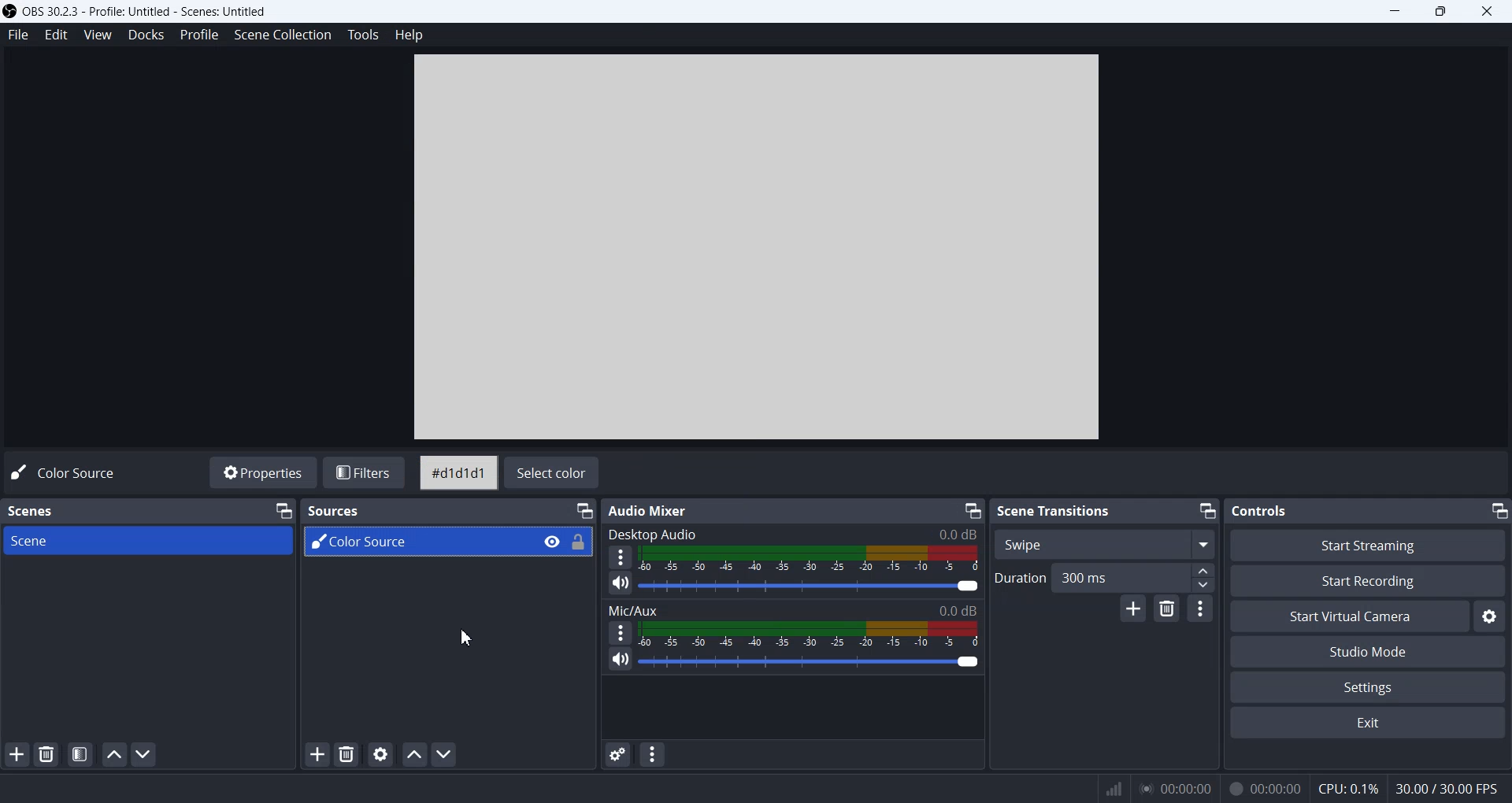  Describe the element at coordinates (1055, 510) in the screenshot. I see `Scene Transitions` at that location.